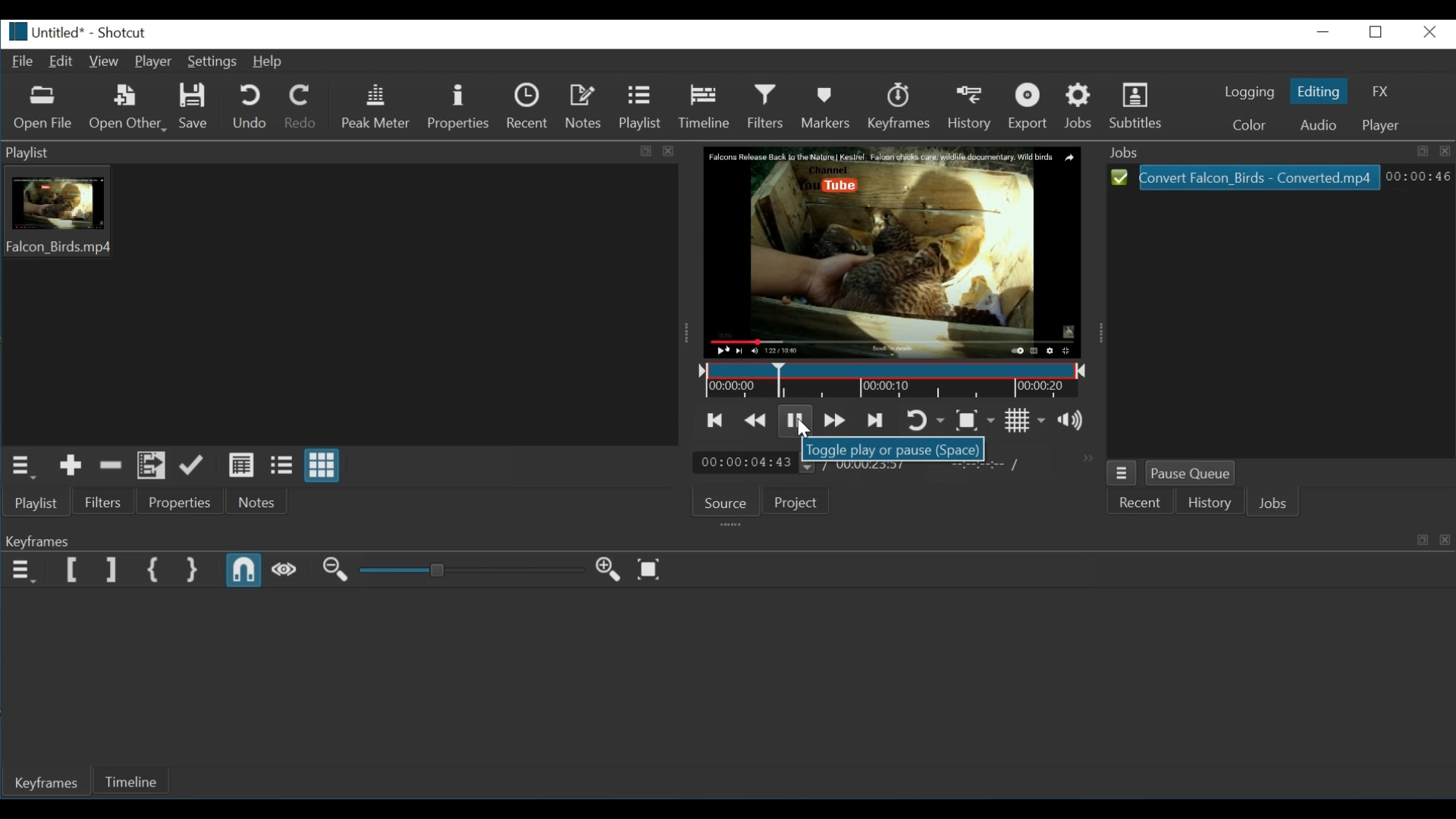  What do you see at coordinates (269, 62) in the screenshot?
I see `Help` at bounding box center [269, 62].